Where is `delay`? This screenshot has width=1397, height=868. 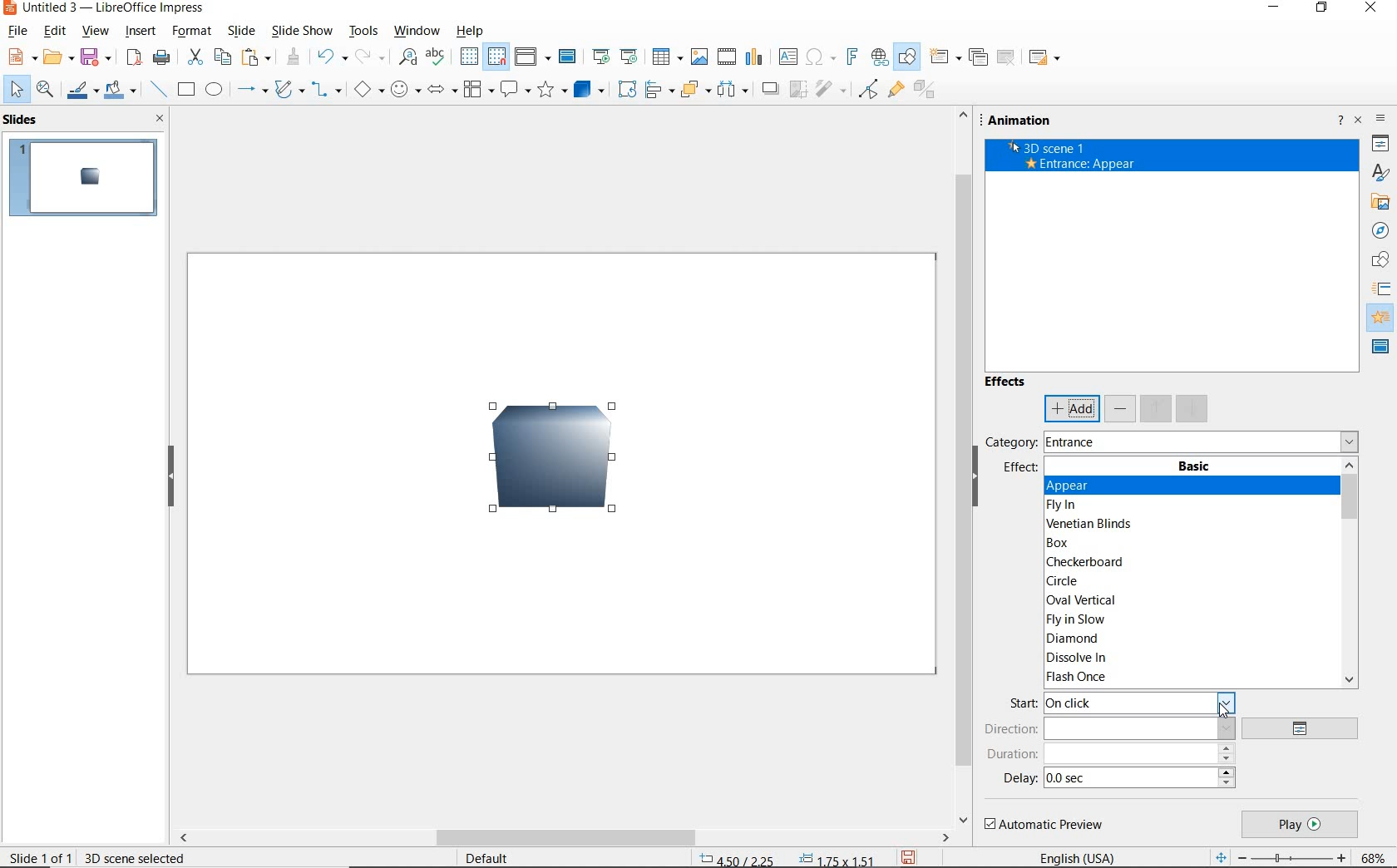 delay is located at coordinates (1019, 778).